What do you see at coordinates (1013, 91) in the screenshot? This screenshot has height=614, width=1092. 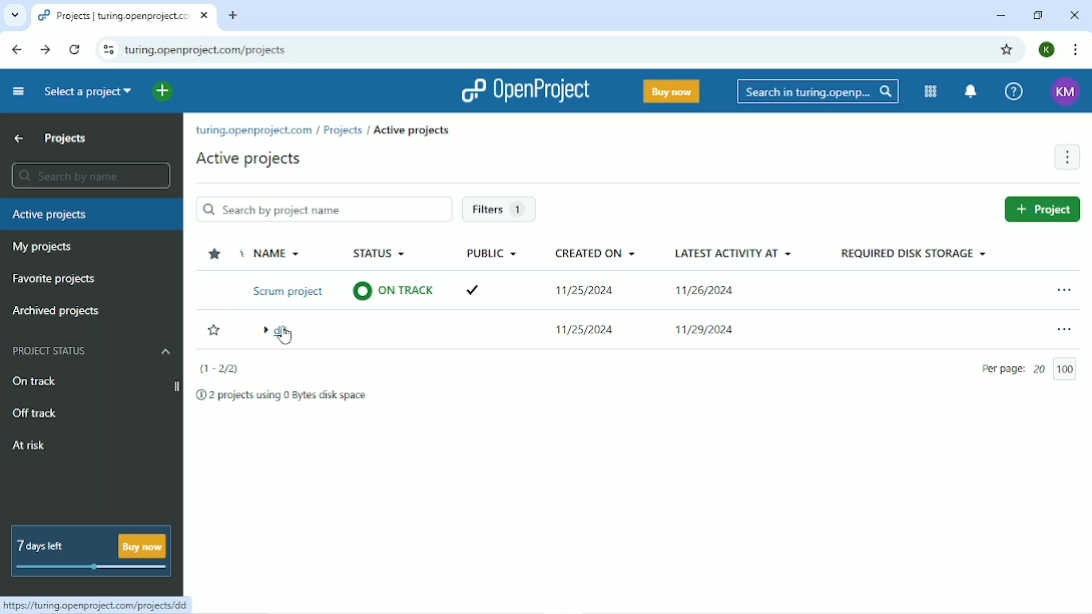 I see `Help` at bounding box center [1013, 91].